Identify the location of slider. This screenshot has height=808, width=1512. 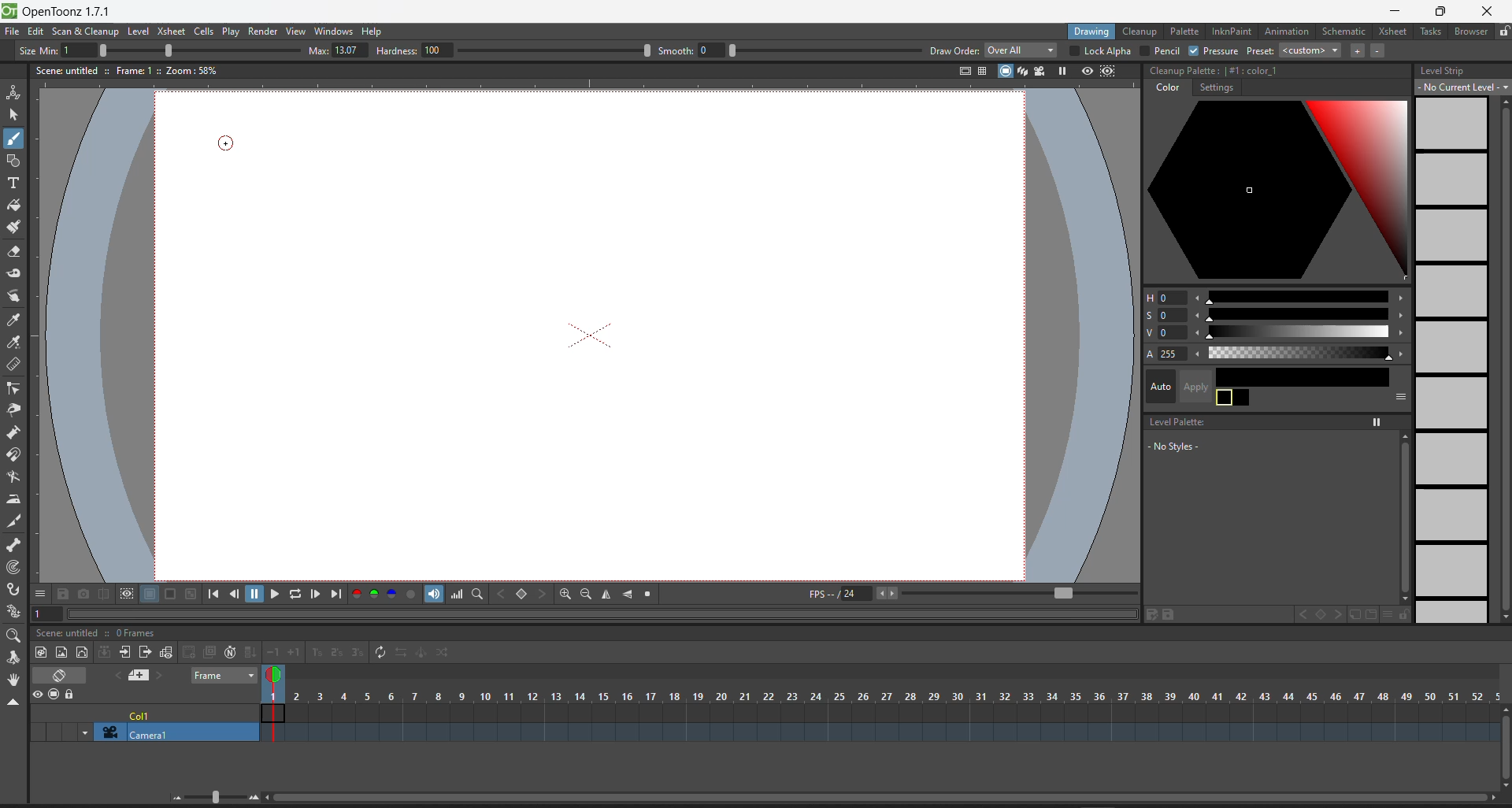
(1302, 332).